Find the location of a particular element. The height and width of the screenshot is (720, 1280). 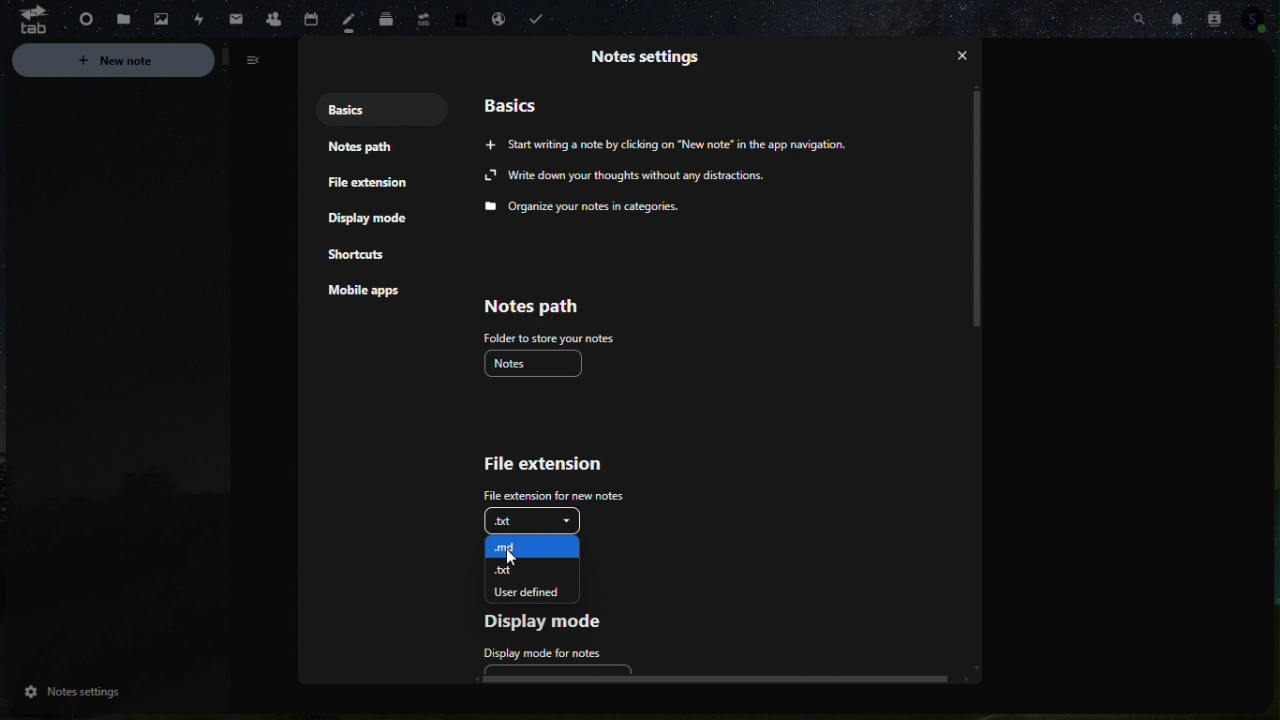

Contacts is located at coordinates (1214, 17).